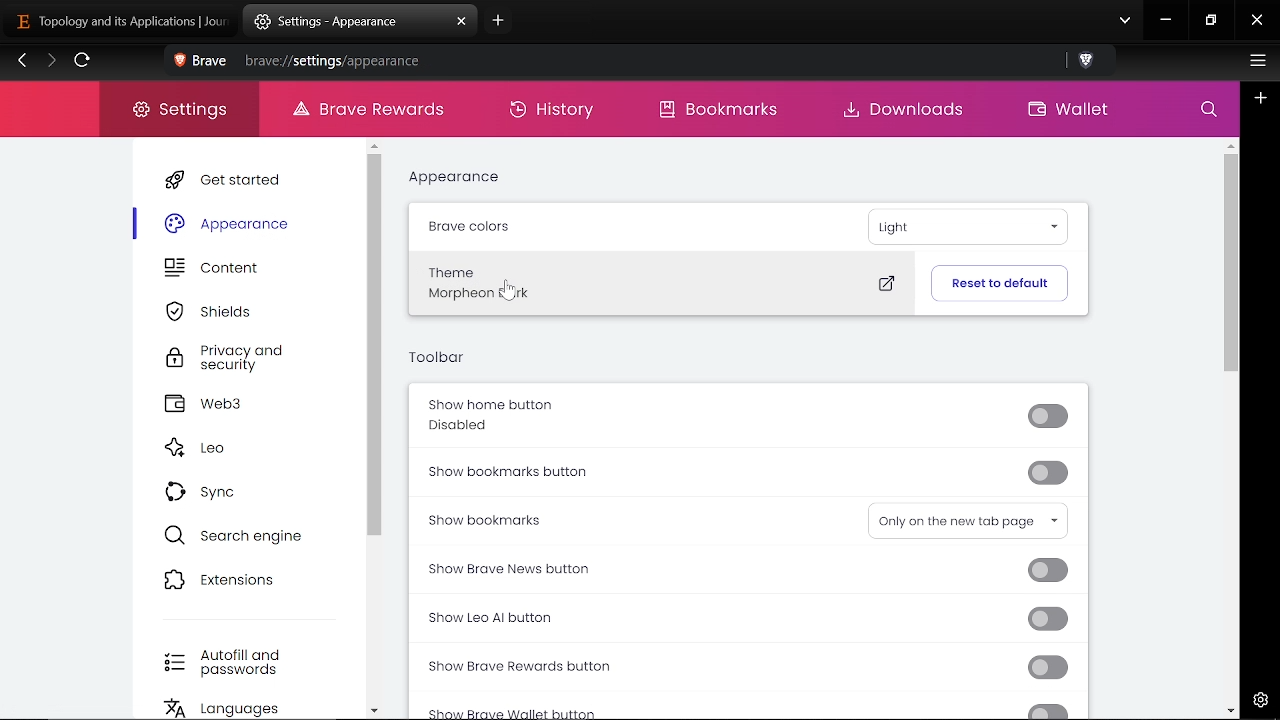  Describe the element at coordinates (1166, 22) in the screenshot. I see `Minimize` at that location.